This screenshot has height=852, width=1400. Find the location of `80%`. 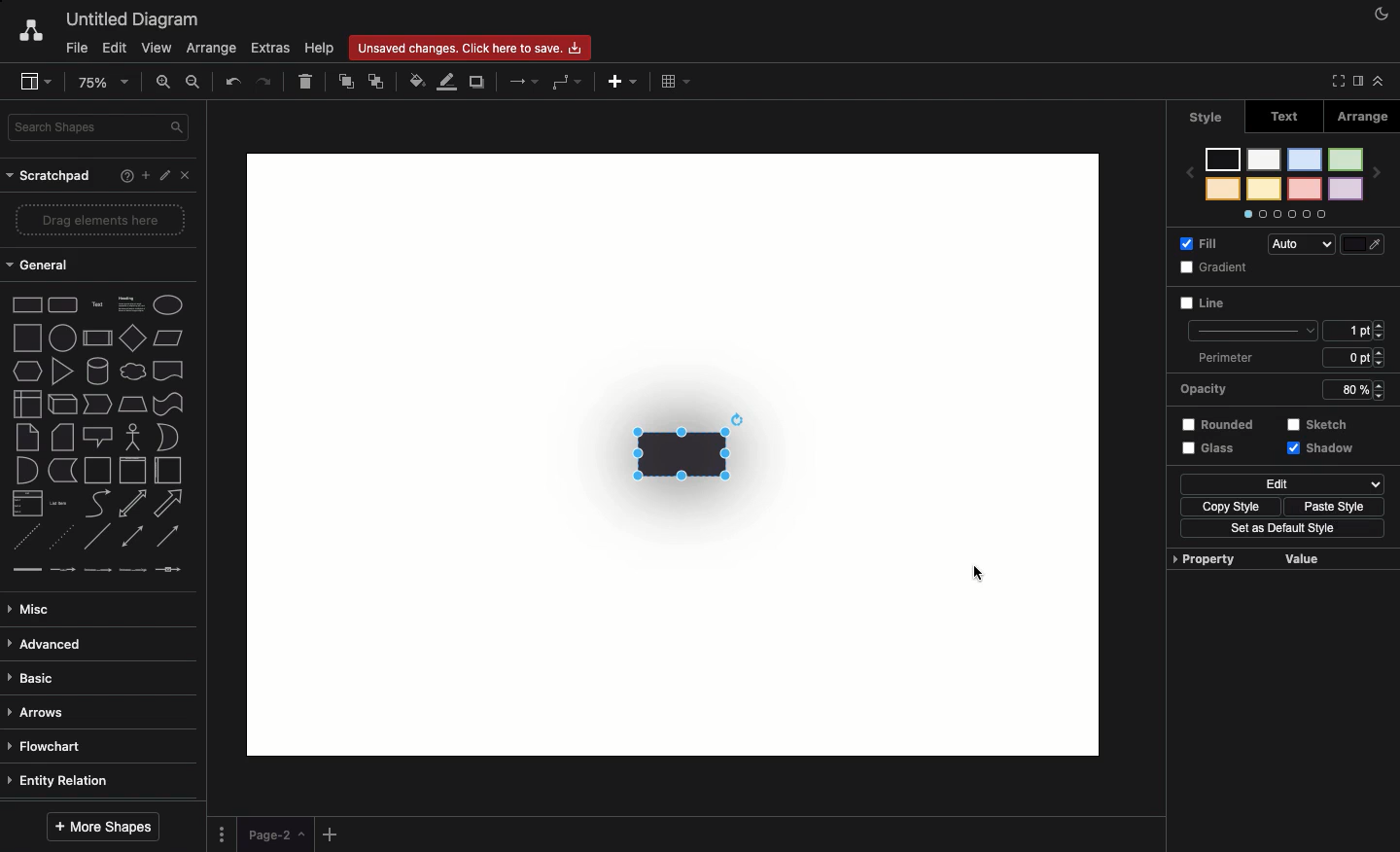

80% is located at coordinates (1347, 391).